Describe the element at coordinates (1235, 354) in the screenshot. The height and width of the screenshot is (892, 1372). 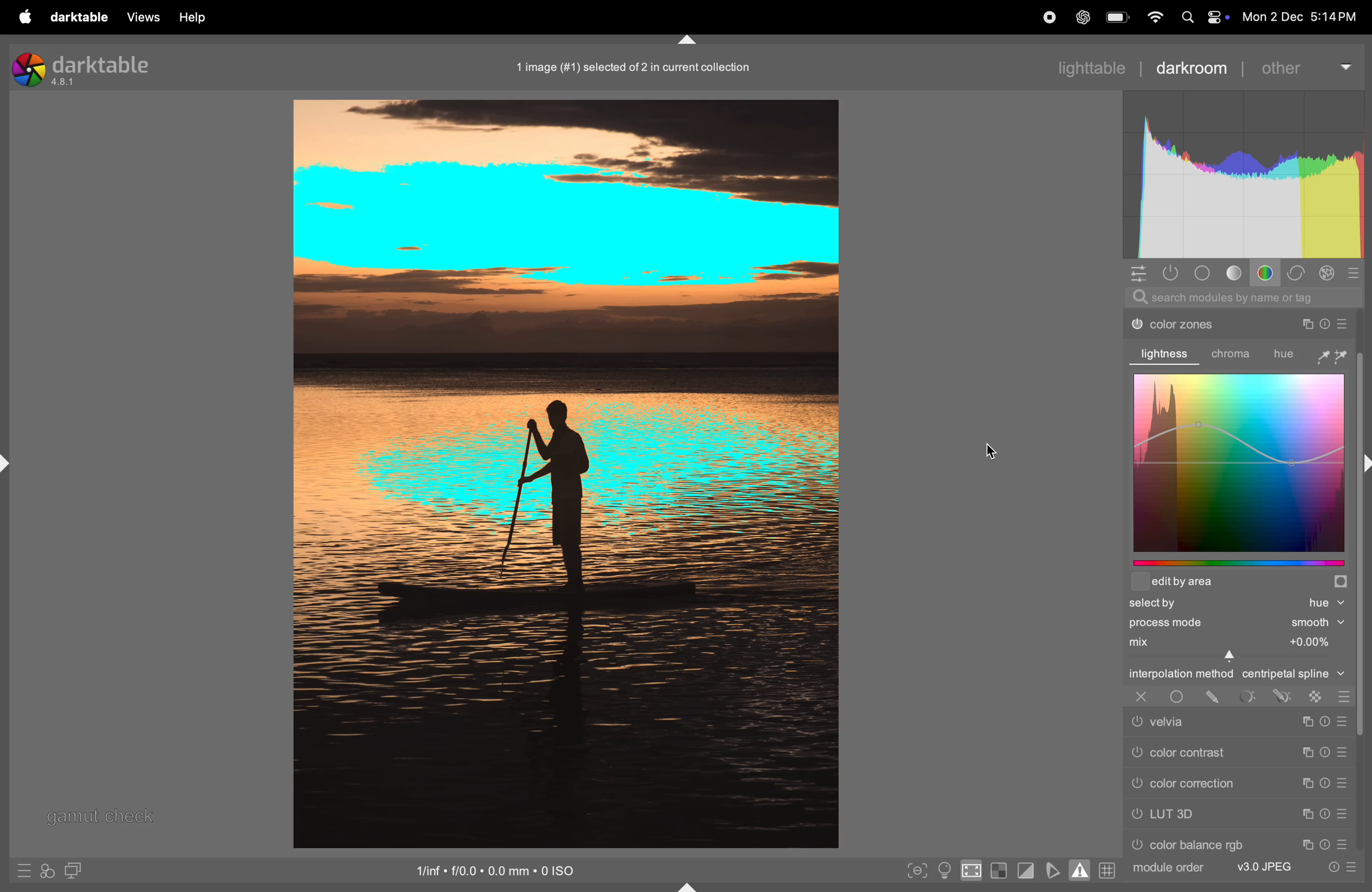
I see `chroma` at that location.